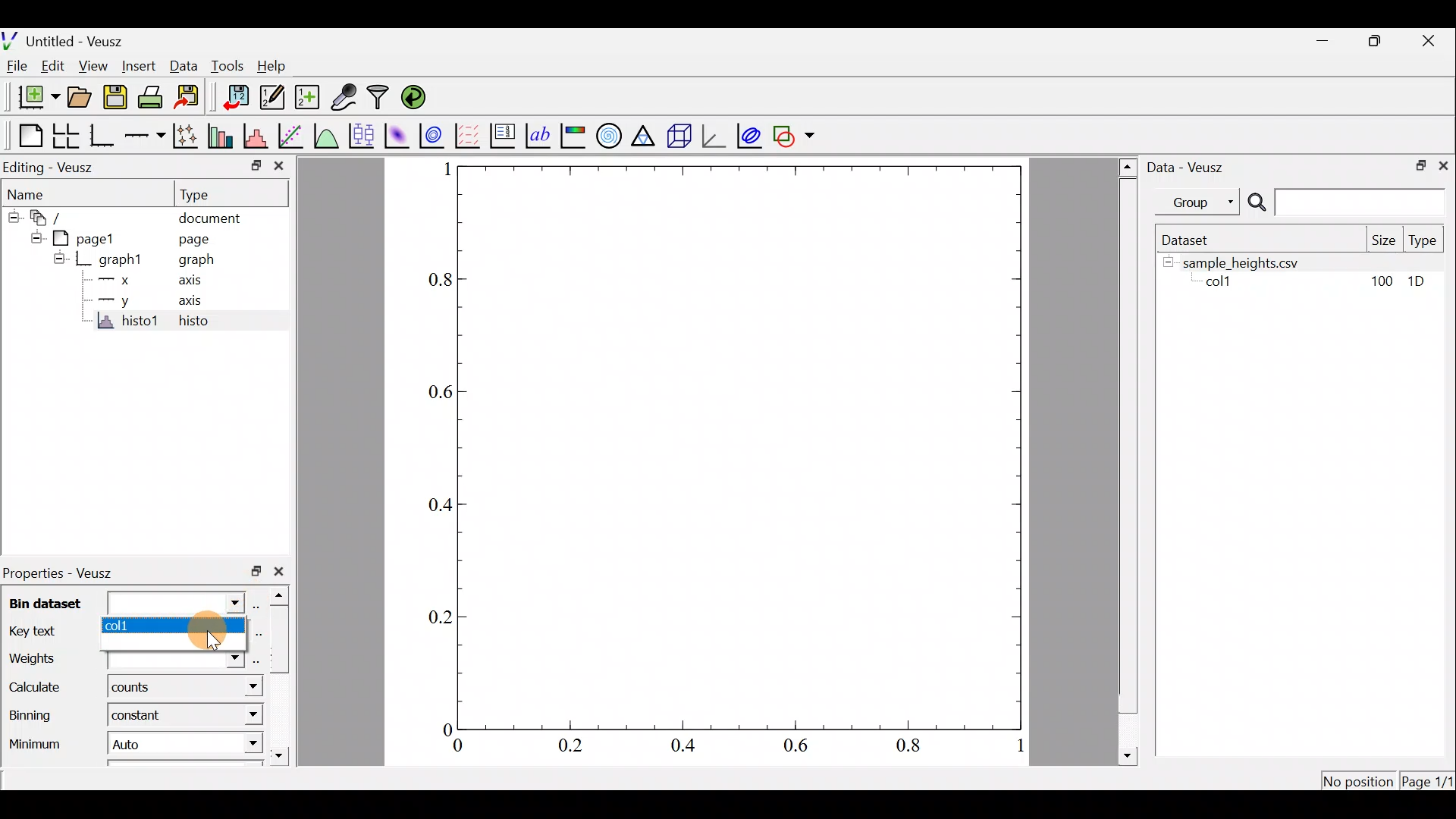 The image size is (1456, 819). What do you see at coordinates (136, 690) in the screenshot?
I see `counts` at bounding box center [136, 690].